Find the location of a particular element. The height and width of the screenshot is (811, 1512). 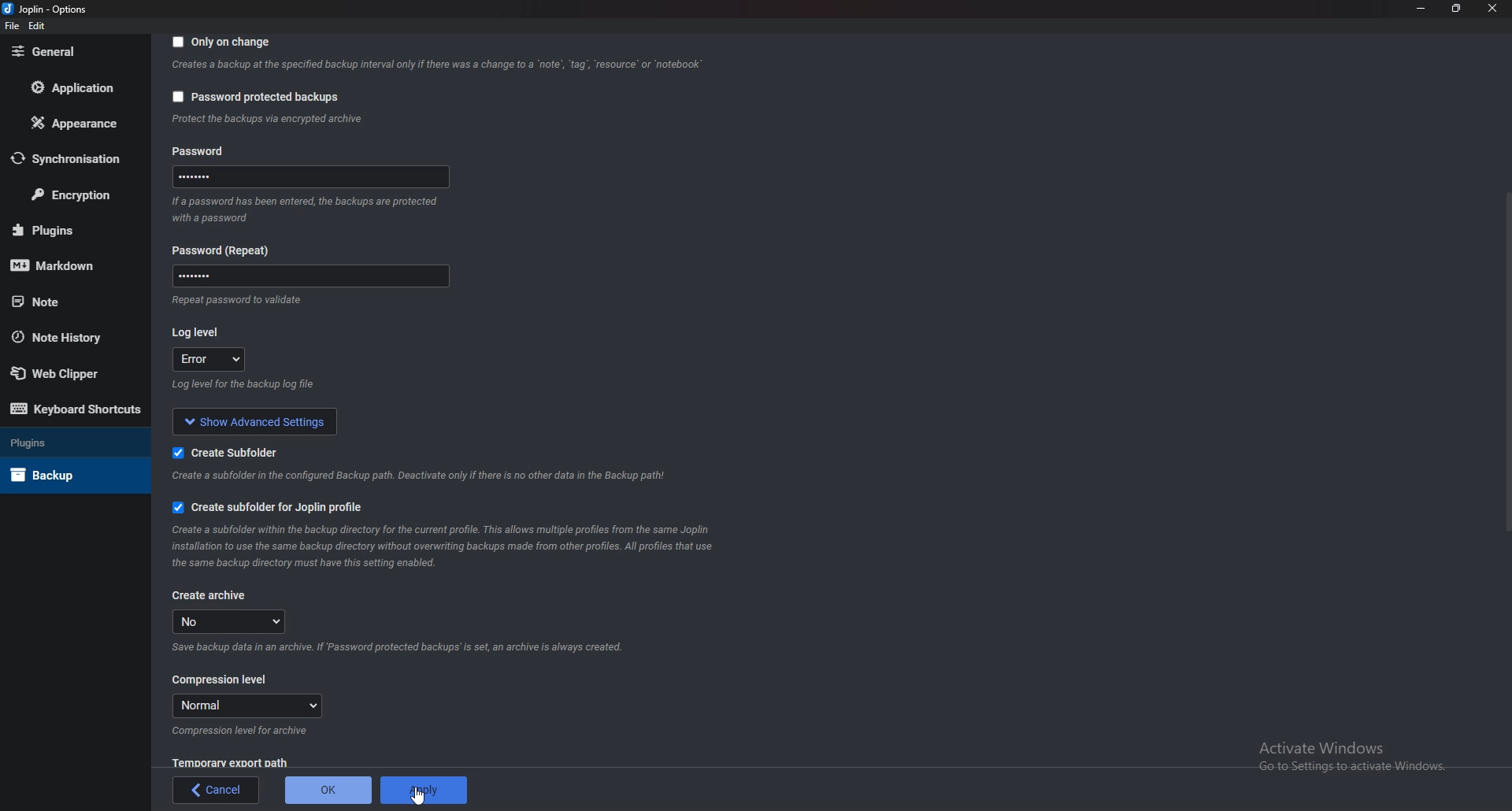

info is located at coordinates (267, 120).